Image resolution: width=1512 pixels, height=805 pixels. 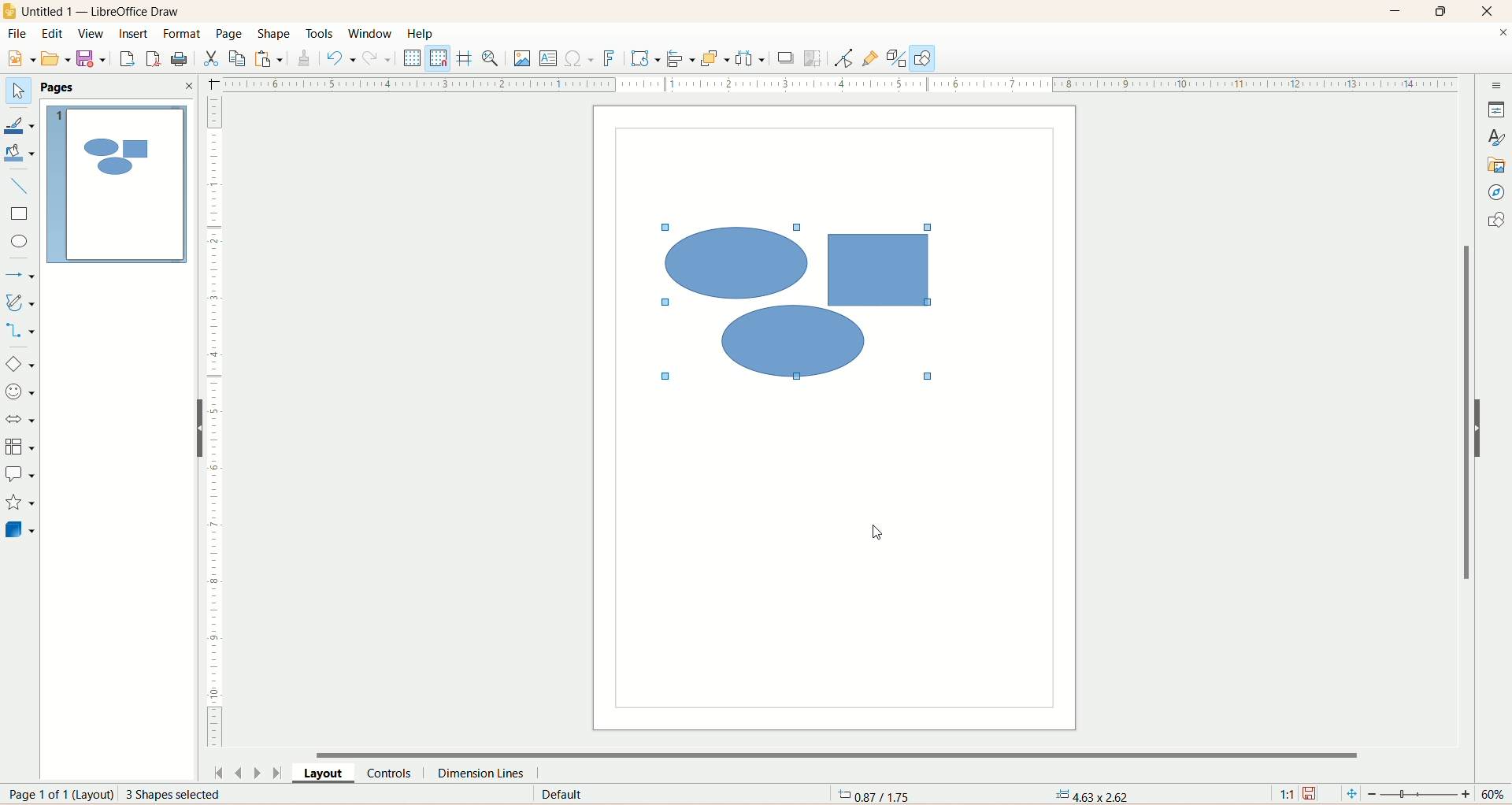 What do you see at coordinates (1448, 10) in the screenshot?
I see `maximize` at bounding box center [1448, 10].